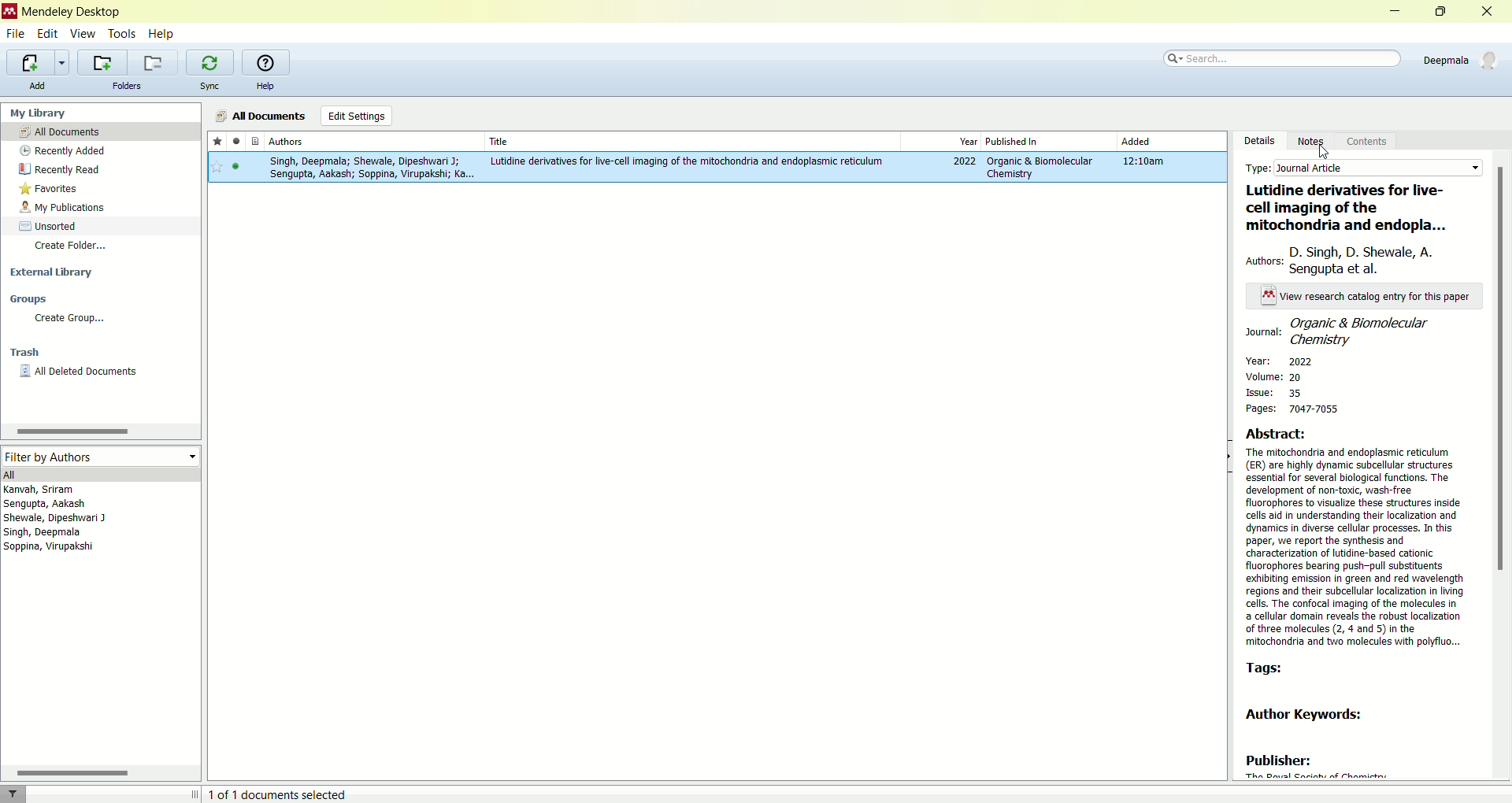 The height and width of the screenshot is (803, 1512). What do you see at coordinates (1276, 376) in the screenshot?
I see `volume : 20` at bounding box center [1276, 376].